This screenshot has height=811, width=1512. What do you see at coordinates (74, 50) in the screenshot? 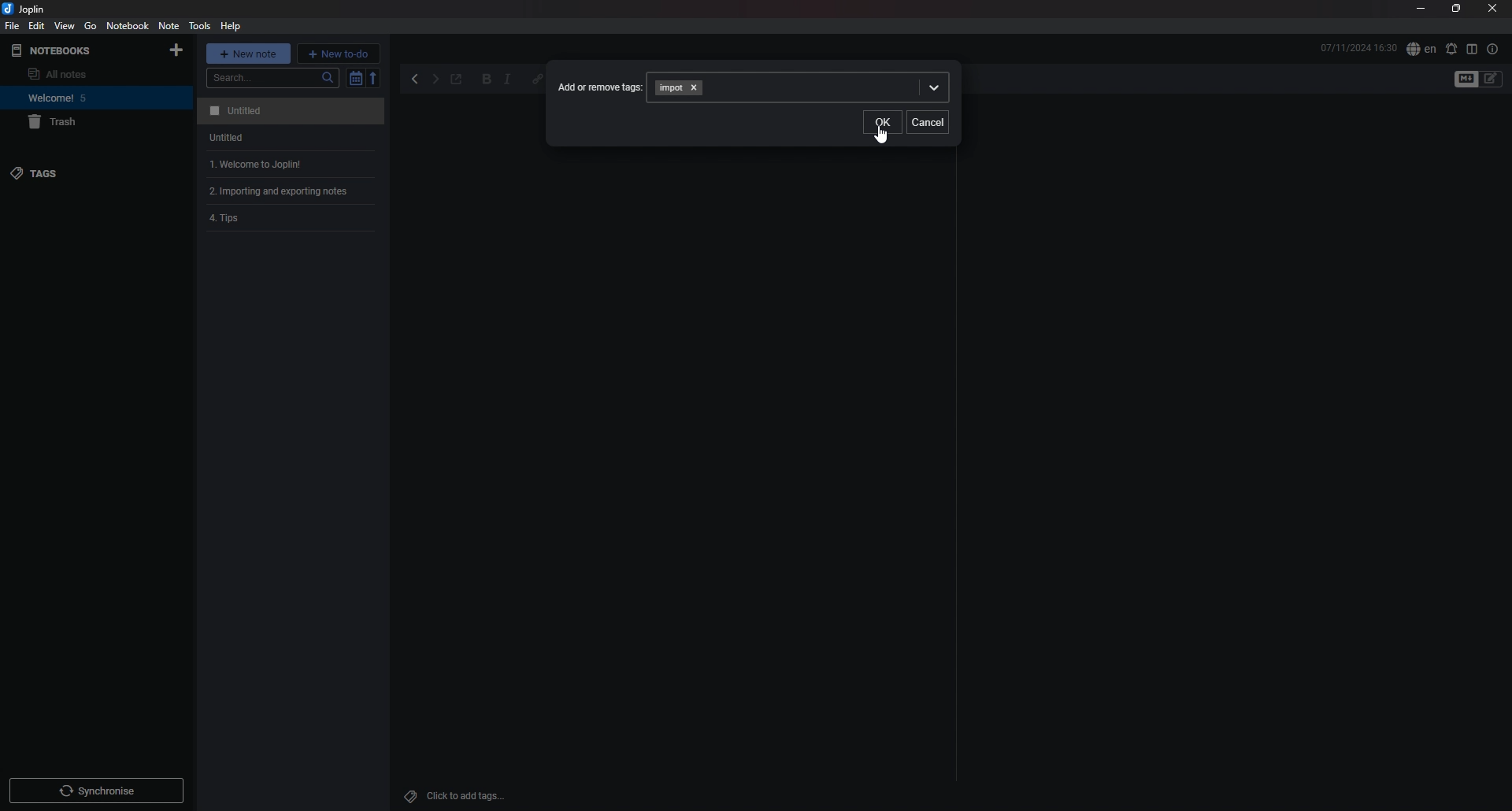
I see `notebooks` at bounding box center [74, 50].